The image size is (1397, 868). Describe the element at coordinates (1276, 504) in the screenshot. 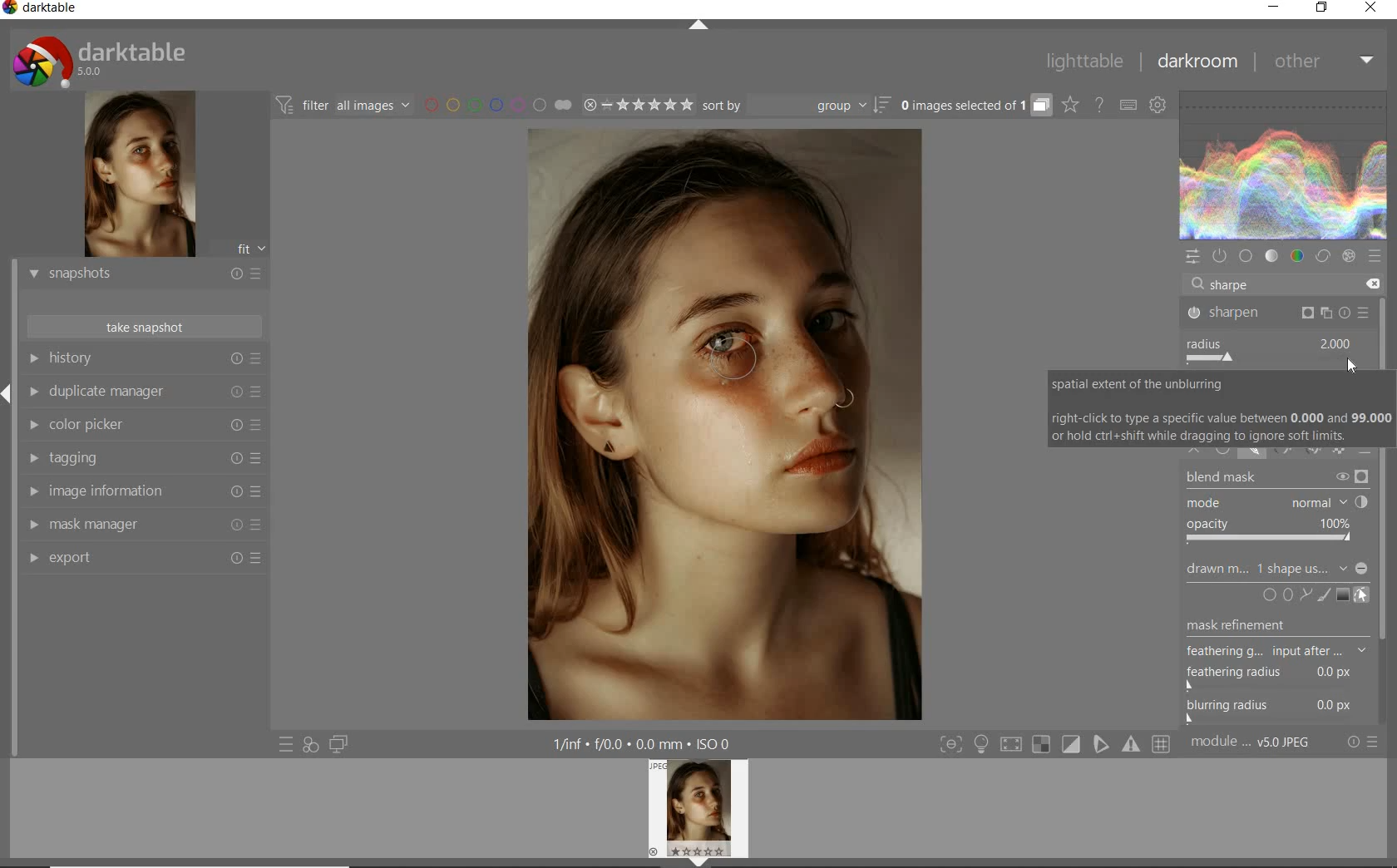

I see `MODE` at that location.